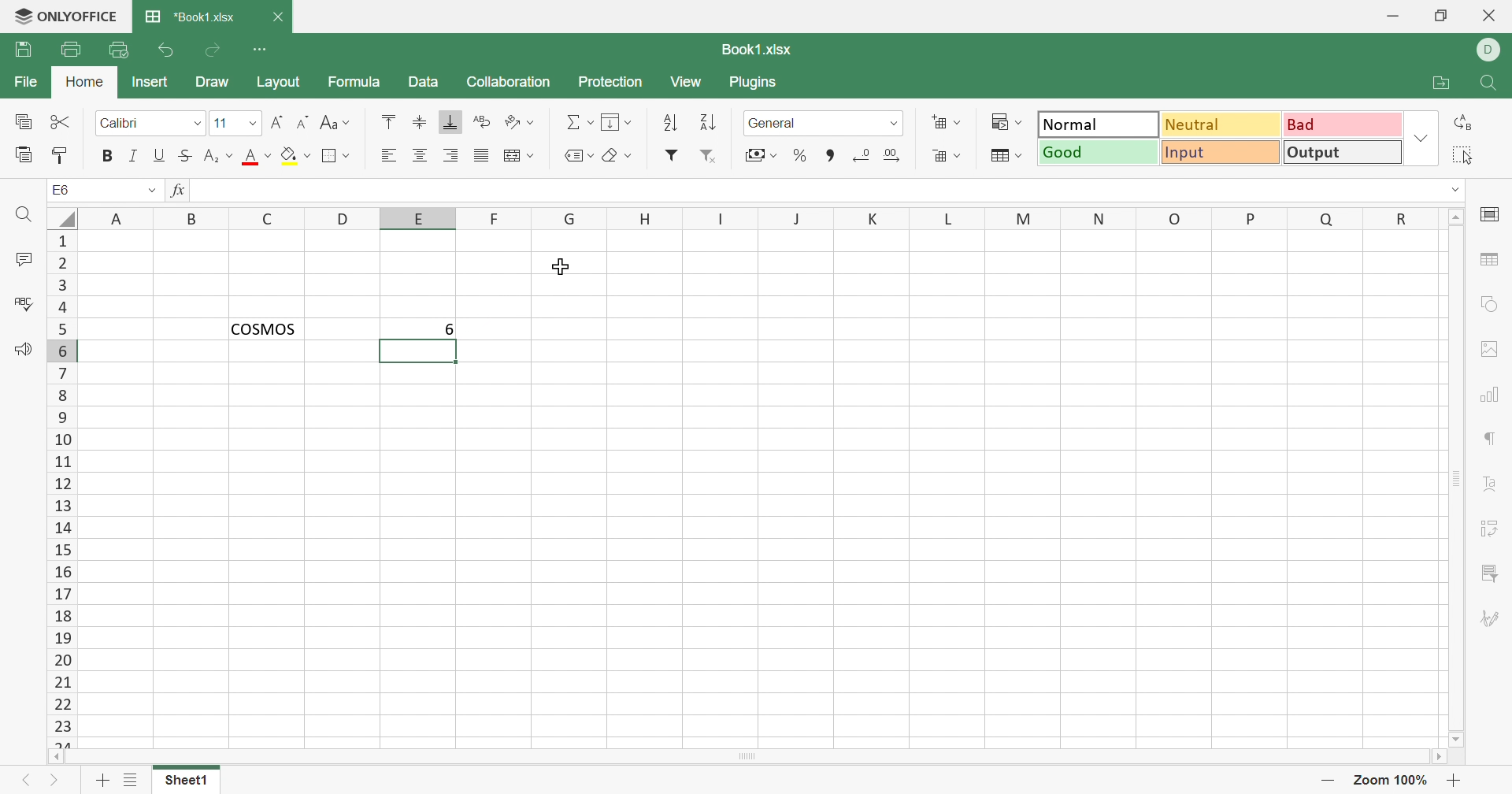 This screenshot has height=794, width=1512. I want to click on Add cells, so click(946, 123).